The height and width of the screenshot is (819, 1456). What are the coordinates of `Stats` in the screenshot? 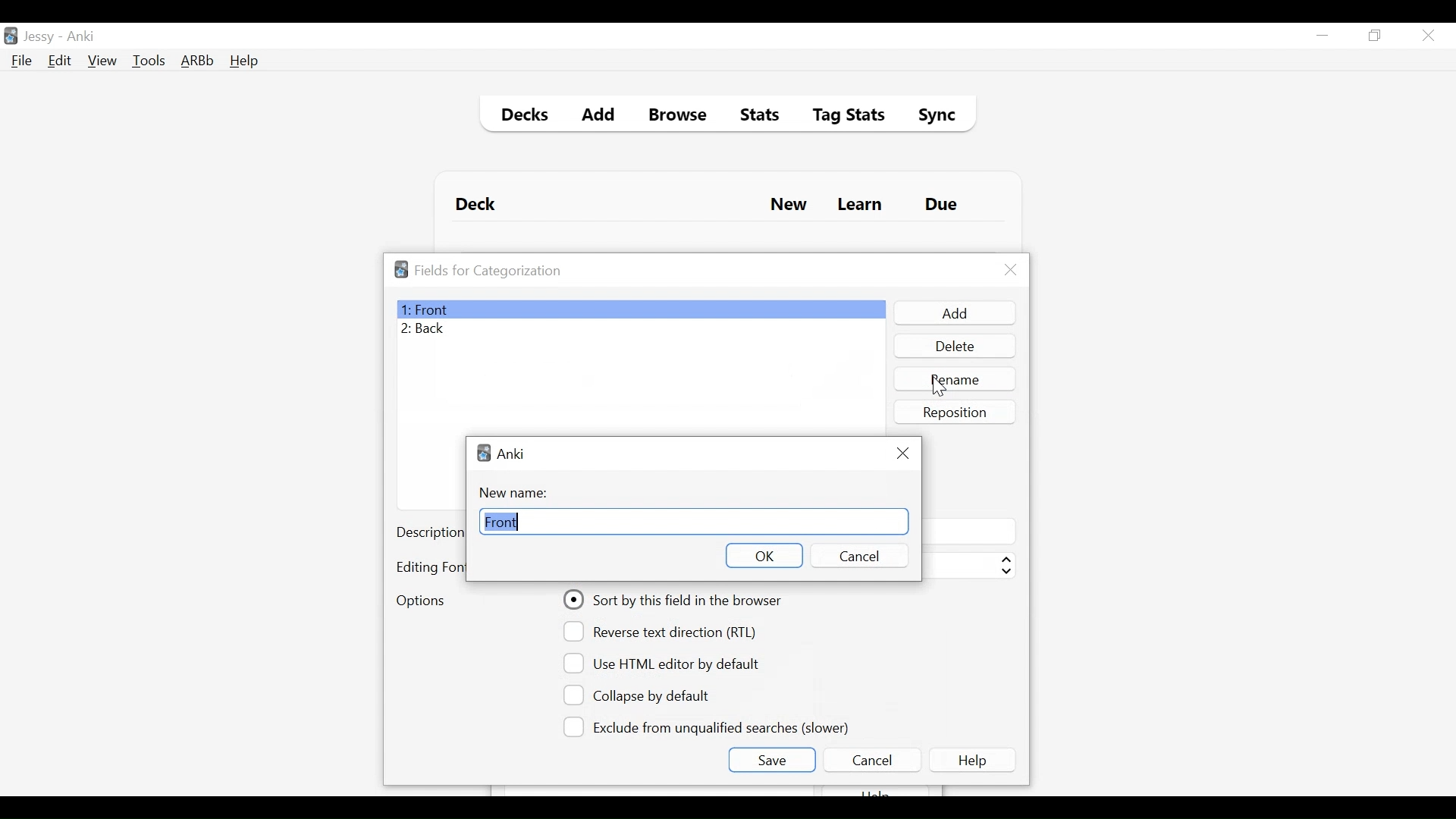 It's located at (755, 115).